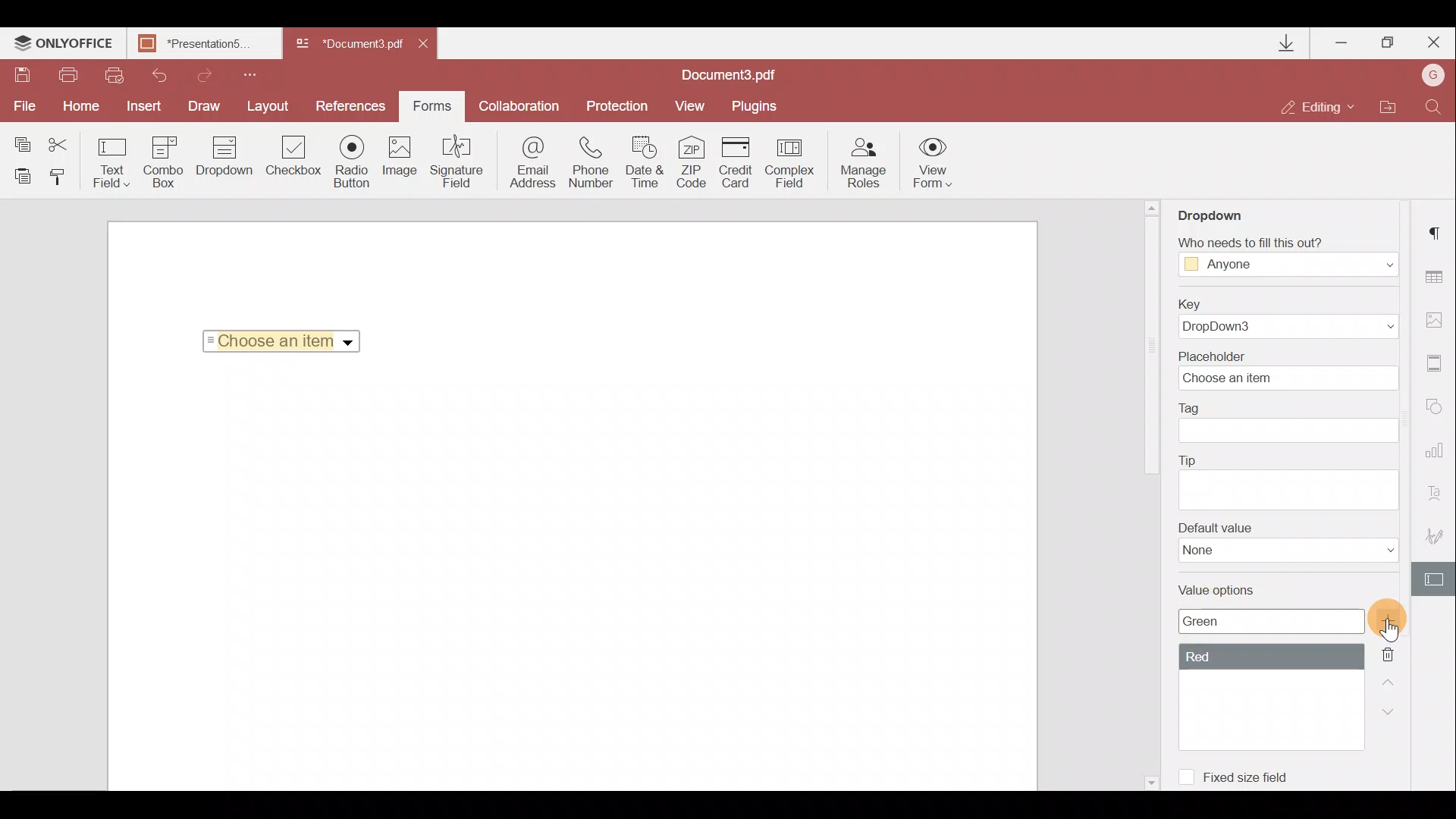 Image resolution: width=1456 pixels, height=819 pixels. What do you see at coordinates (294, 157) in the screenshot?
I see `Checkbox` at bounding box center [294, 157].